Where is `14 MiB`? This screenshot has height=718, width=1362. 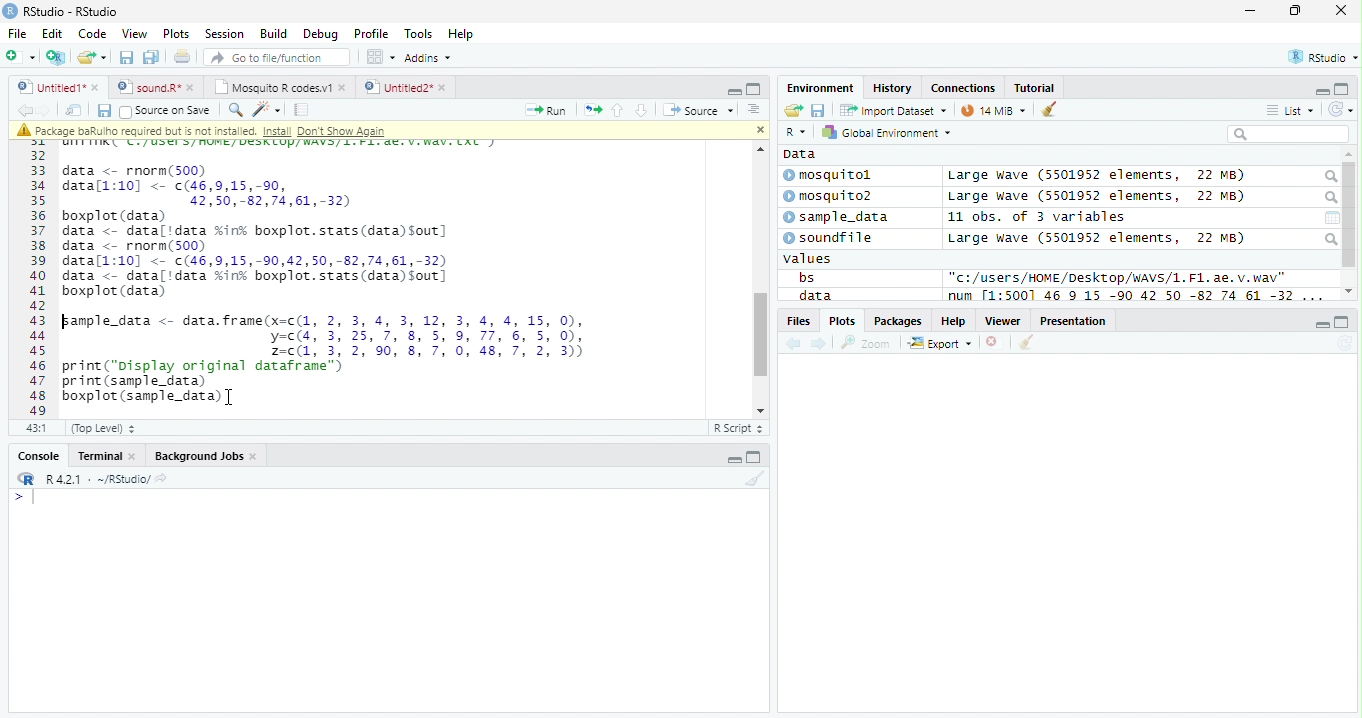 14 MiB is located at coordinates (993, 110).